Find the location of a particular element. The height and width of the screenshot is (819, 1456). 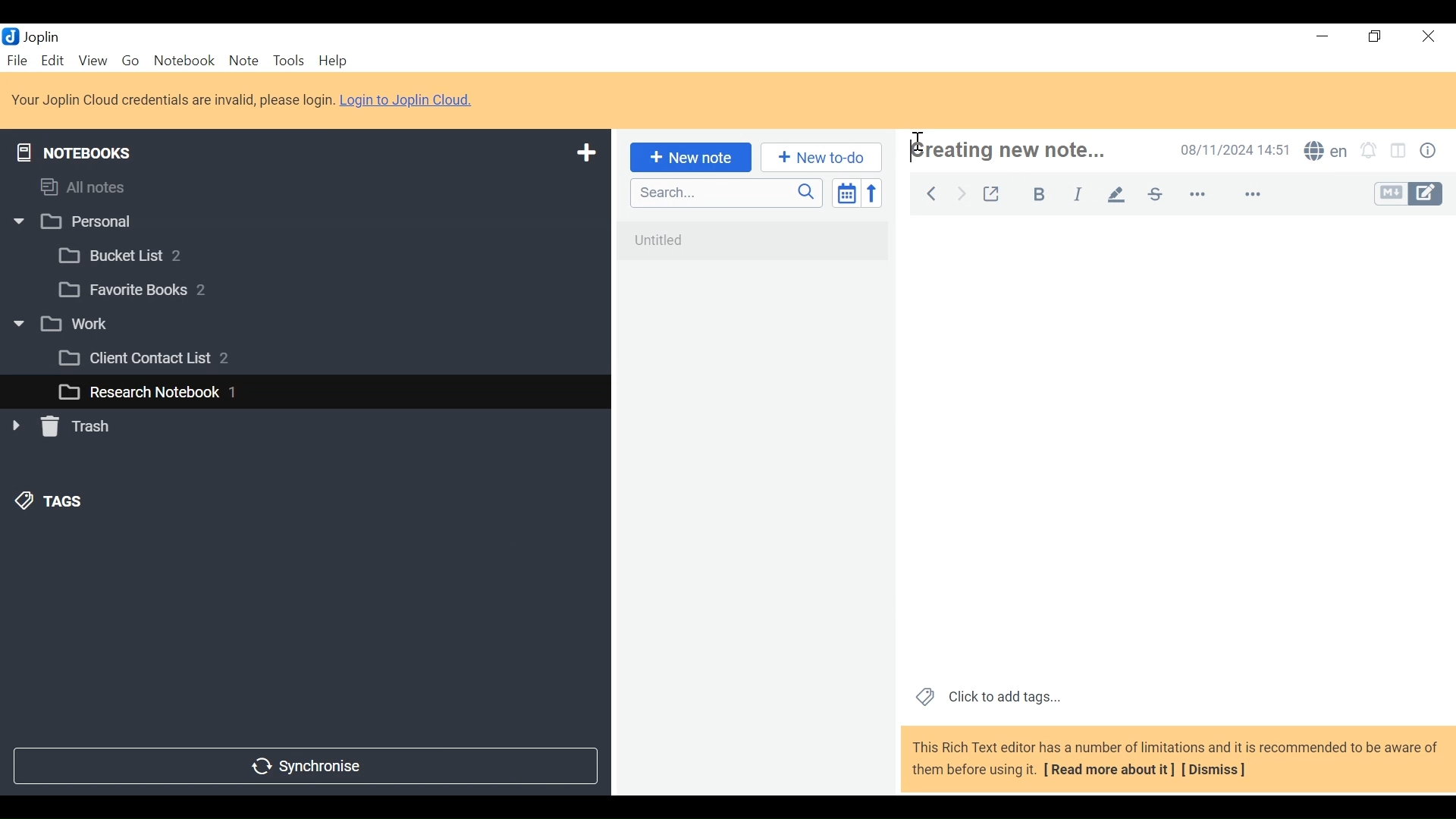

Search is located at coordinates (724, 193).